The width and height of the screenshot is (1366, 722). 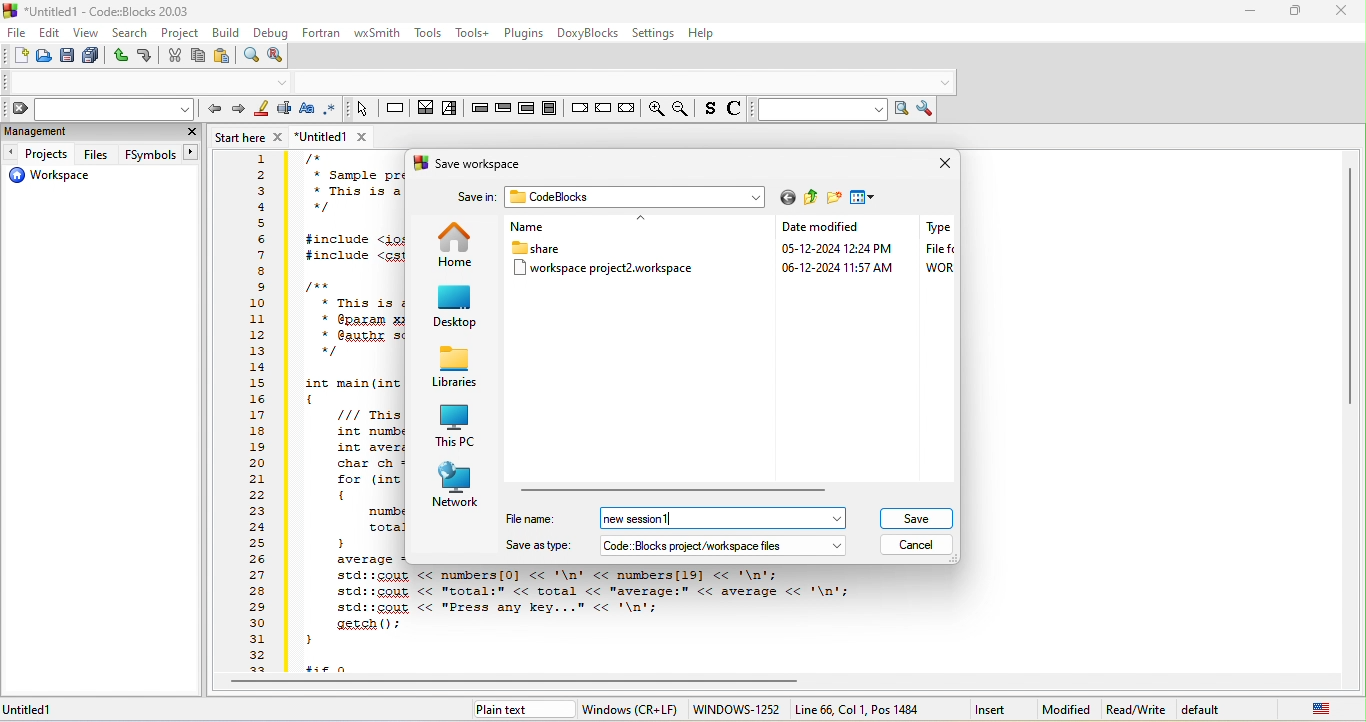 What do you see at coordinates (322, 32) in the screenshot?
I see `fortran` at bounding box center [322, 32].